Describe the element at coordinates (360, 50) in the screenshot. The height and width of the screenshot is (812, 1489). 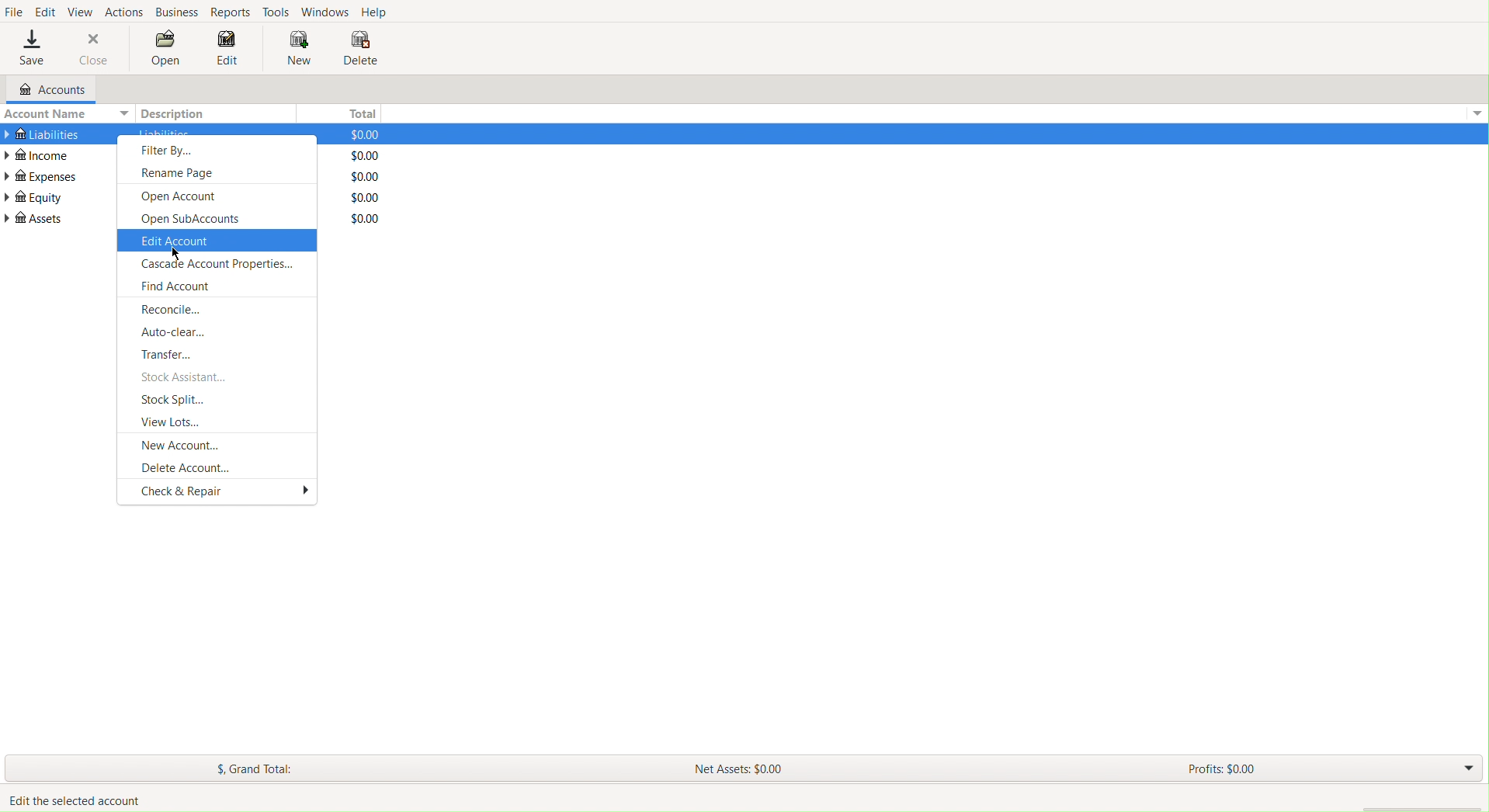
I see `Delete` at that location.